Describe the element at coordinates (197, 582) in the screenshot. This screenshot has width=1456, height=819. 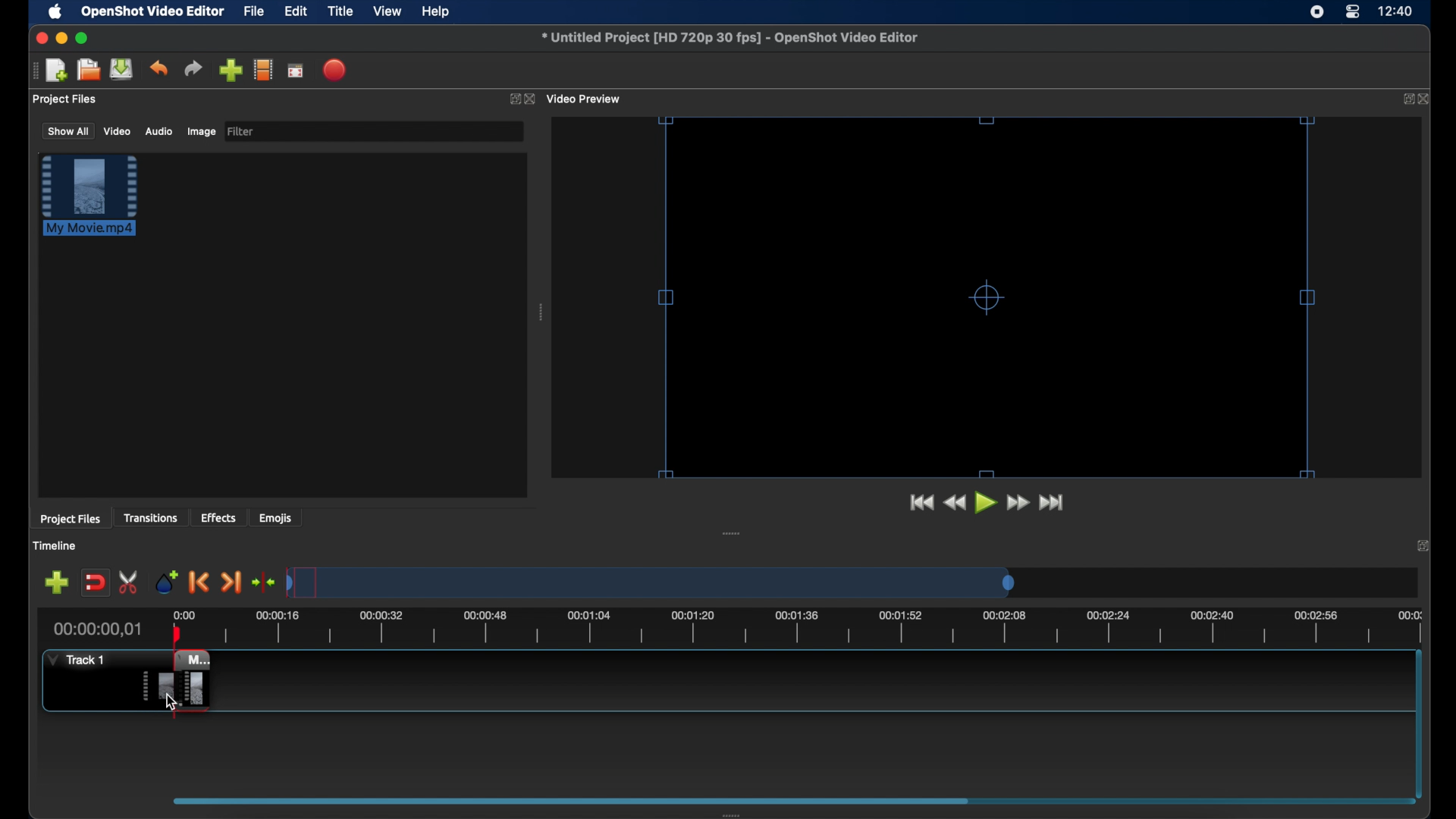
I see `previous marker` at that location.